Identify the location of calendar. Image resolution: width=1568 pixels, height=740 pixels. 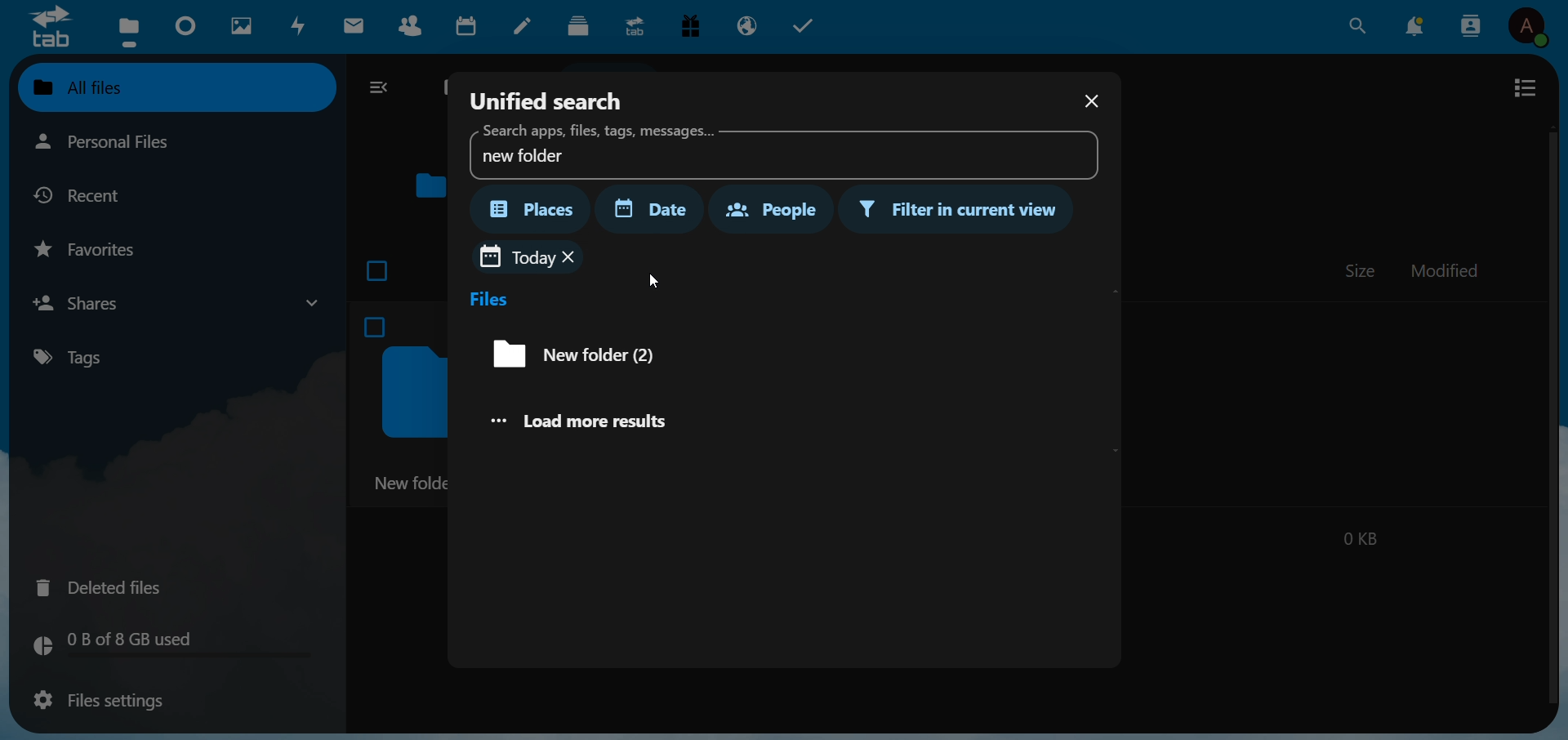
(470, 29).